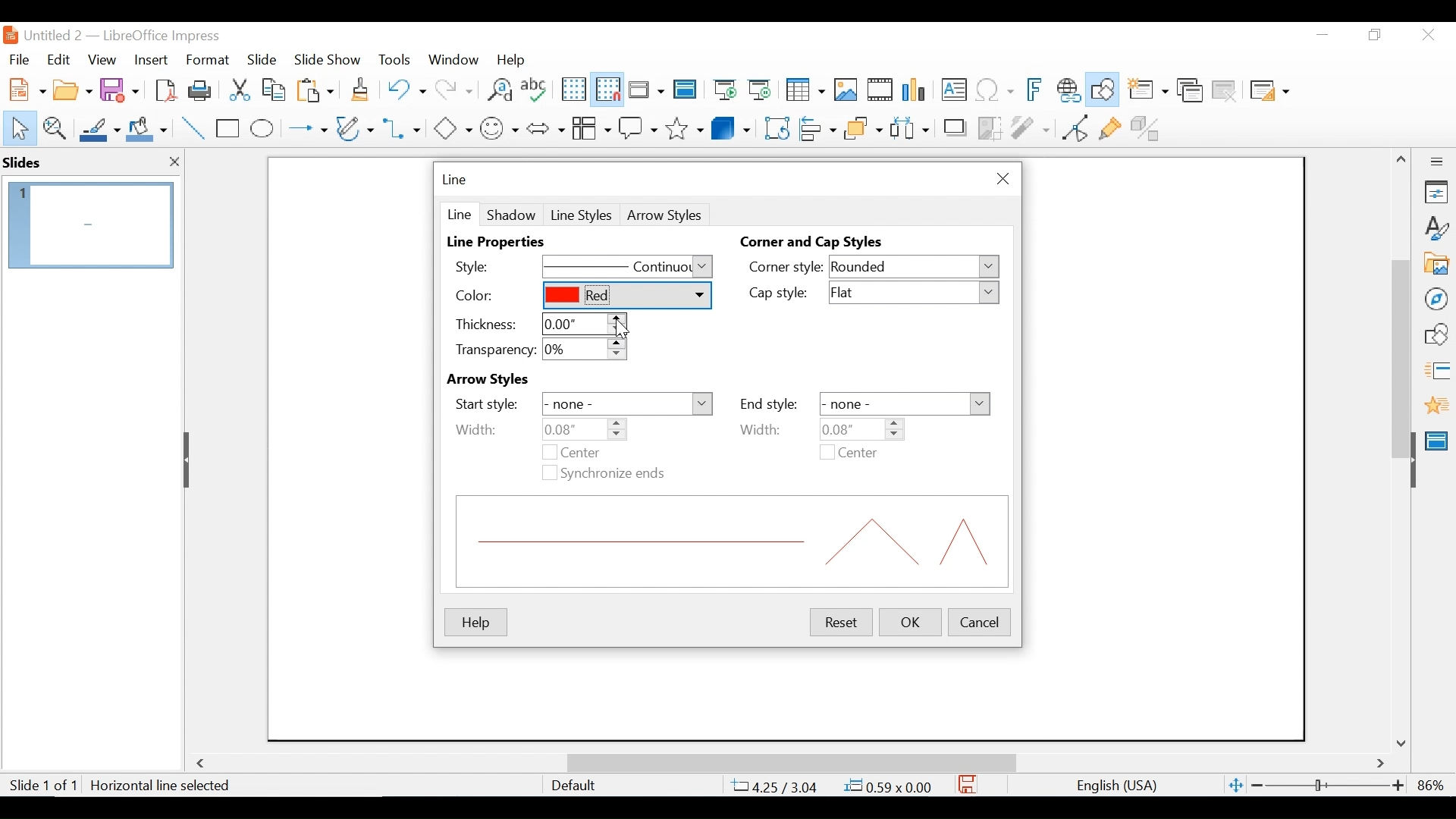  Describe the element at coordinates (624, 330) in the screenshot. I see `Cursor` at that location.